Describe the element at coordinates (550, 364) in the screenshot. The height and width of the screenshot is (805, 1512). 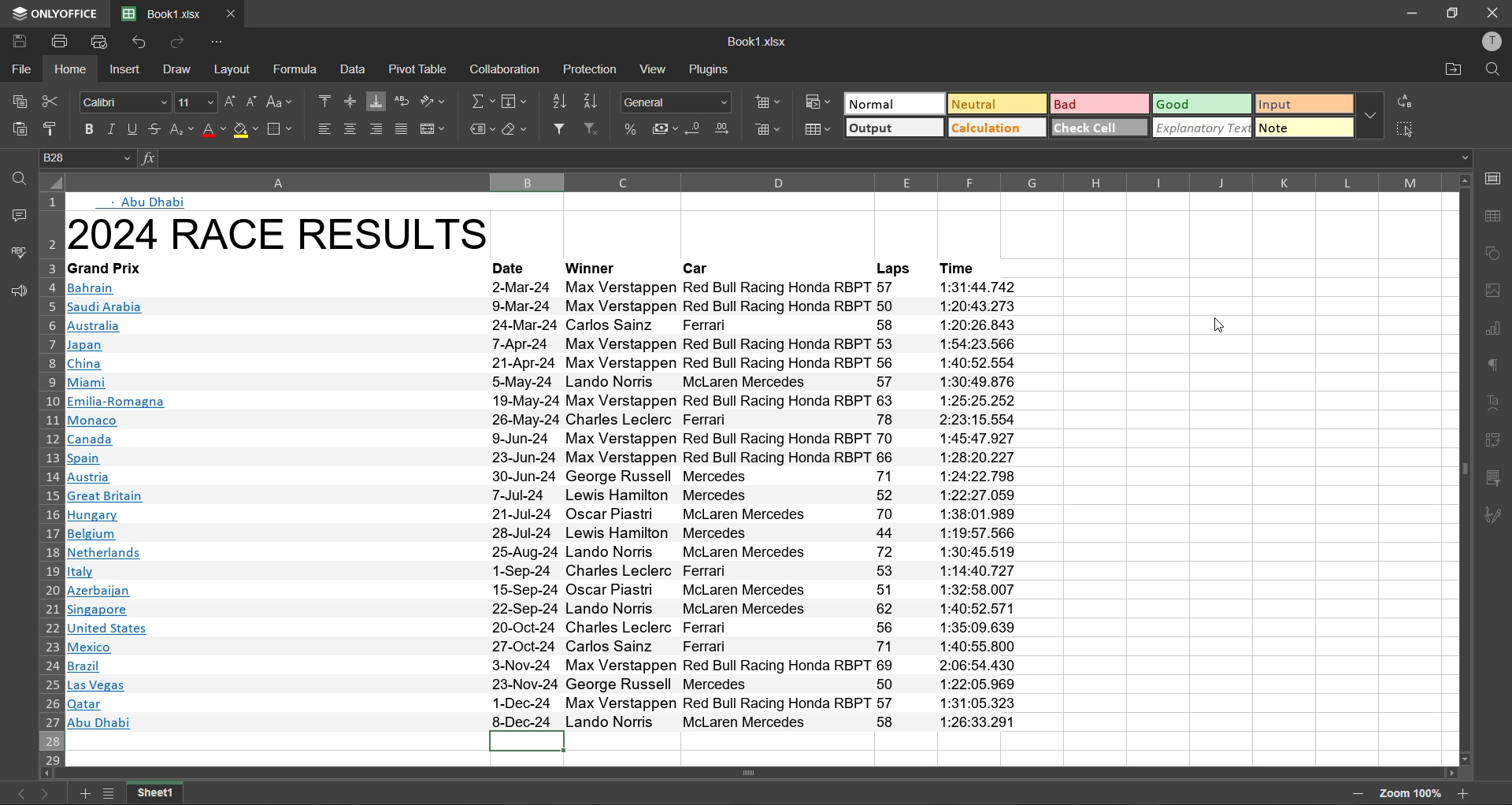
I see `China 21-Apr-24 Max Verstappen Red Bull Racing Honda RBPT 56 1:40:52.554` at that location.